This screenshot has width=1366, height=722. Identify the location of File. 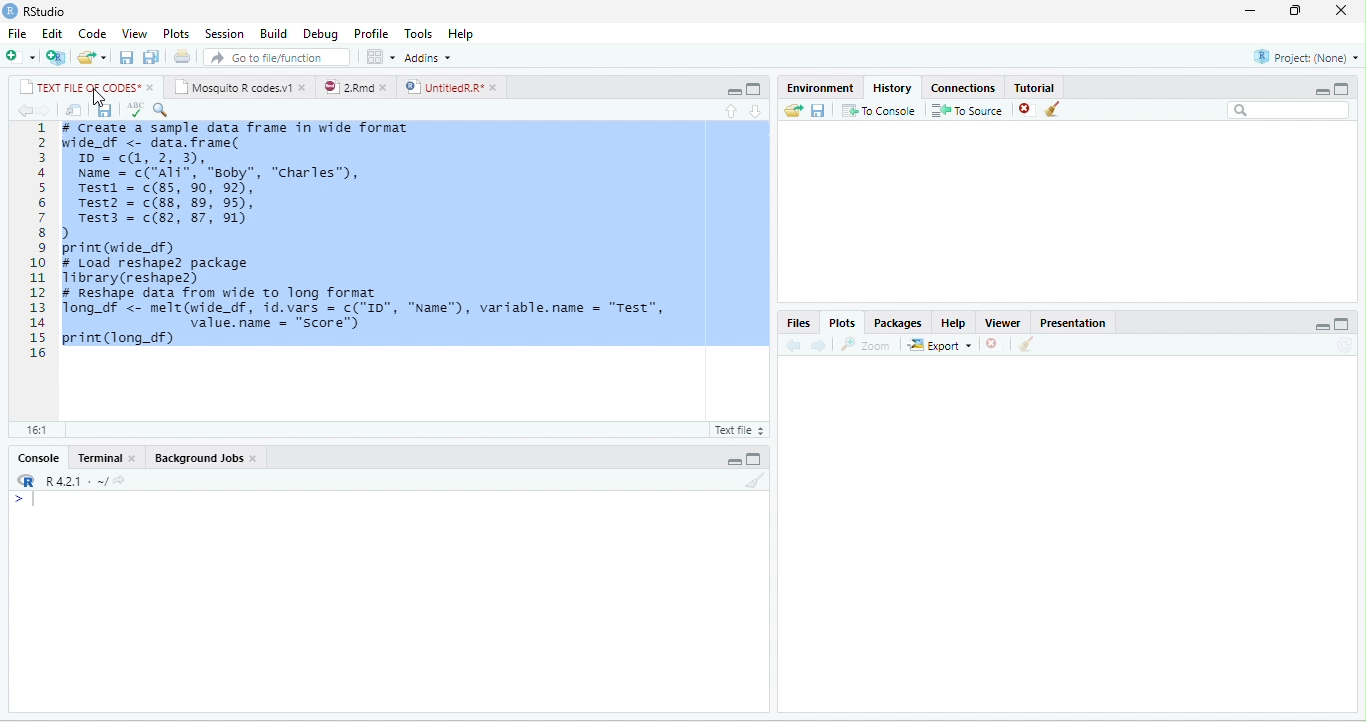
(17, 34).